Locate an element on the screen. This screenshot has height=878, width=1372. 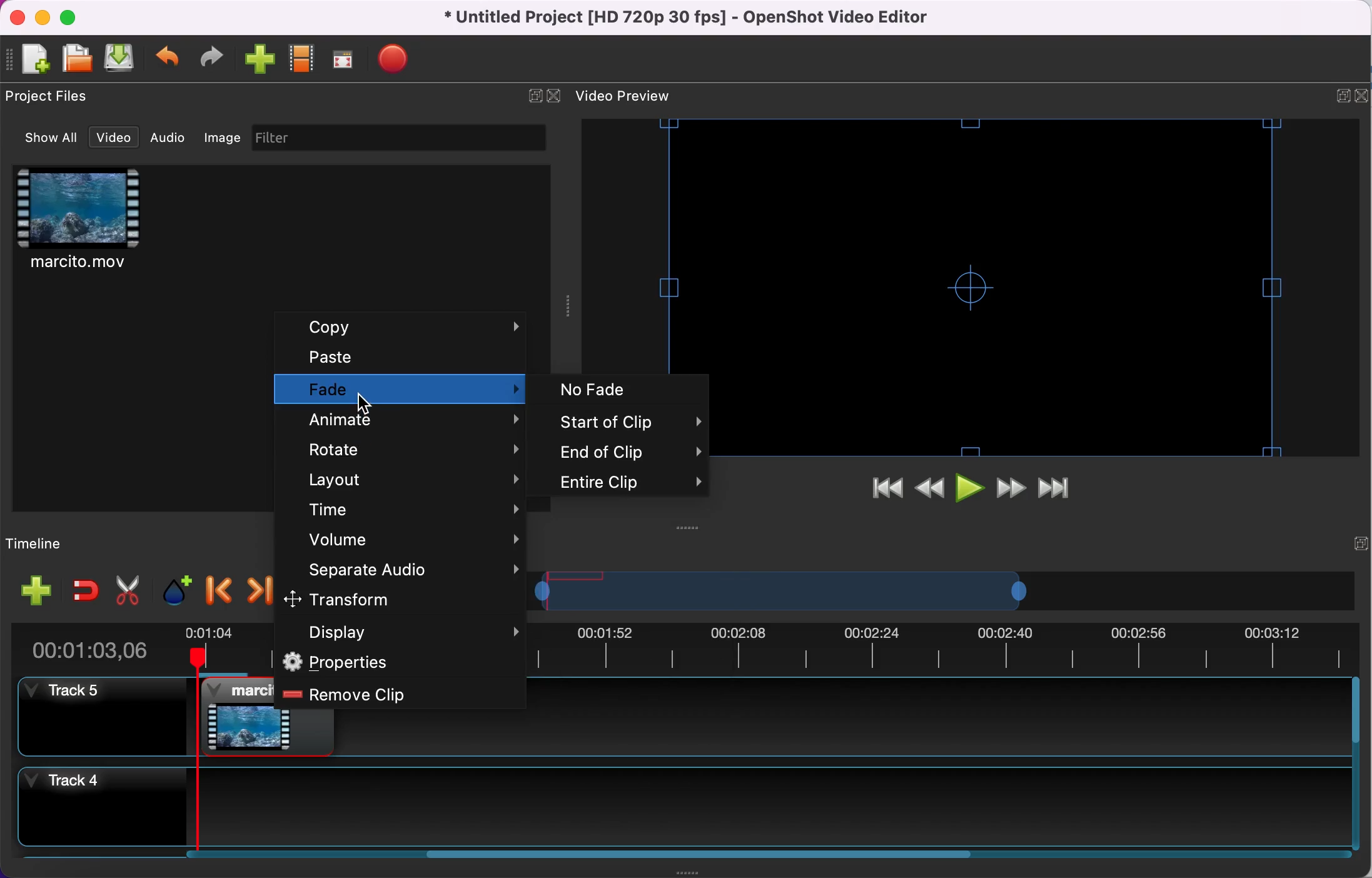
track 5 is located at coordinates (102, 720).